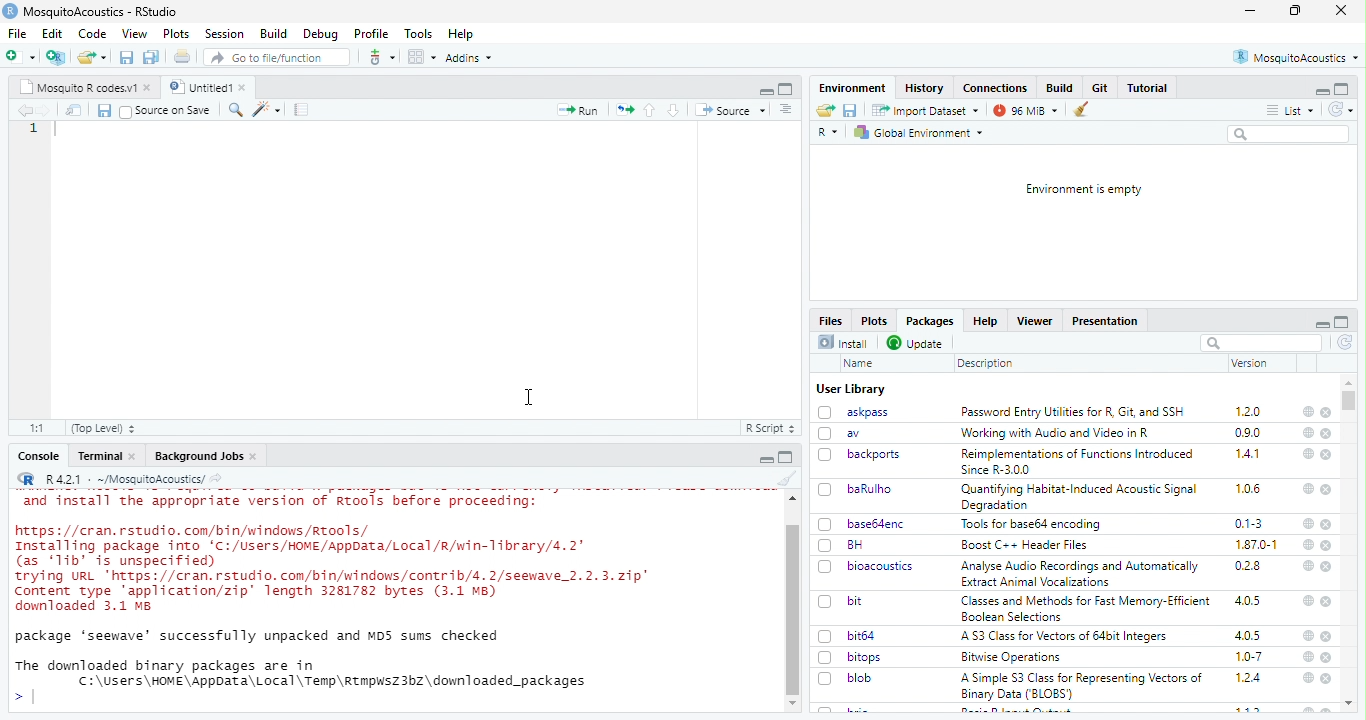 The height and width of the screenshot is (720, 1366). I want to click on blob, so click(860, 678).